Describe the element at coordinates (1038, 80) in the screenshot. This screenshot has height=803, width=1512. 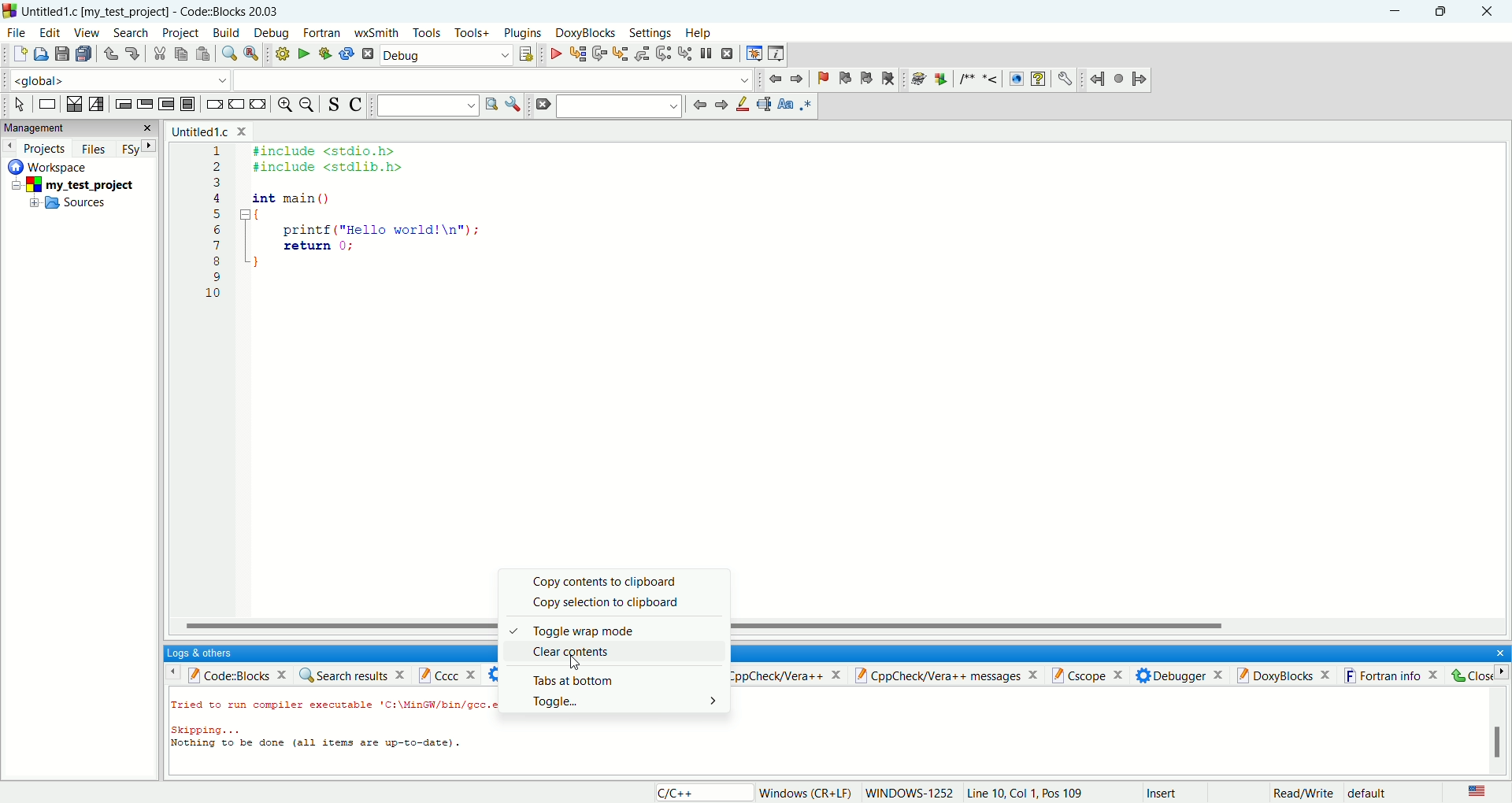
I see `CHM` at that location.